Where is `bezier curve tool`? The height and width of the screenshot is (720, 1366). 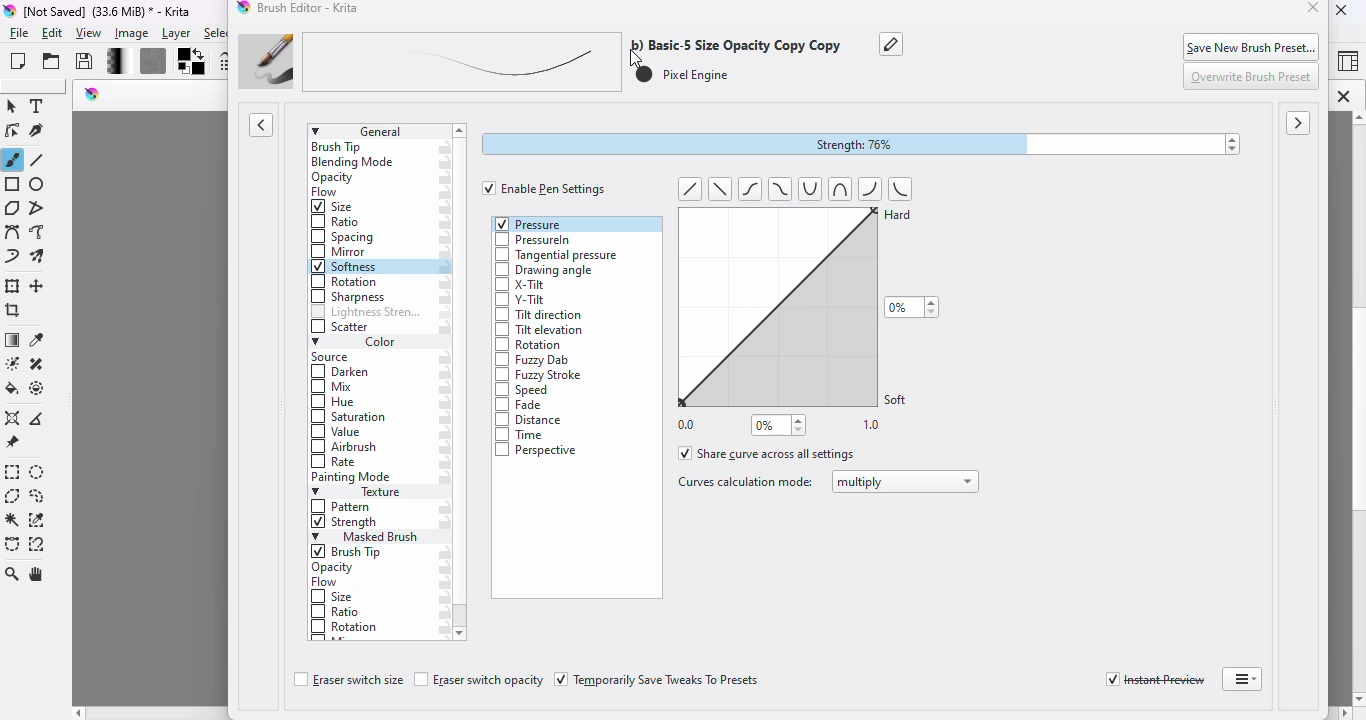
bezier curve tool is located at coordinates (12, 232).